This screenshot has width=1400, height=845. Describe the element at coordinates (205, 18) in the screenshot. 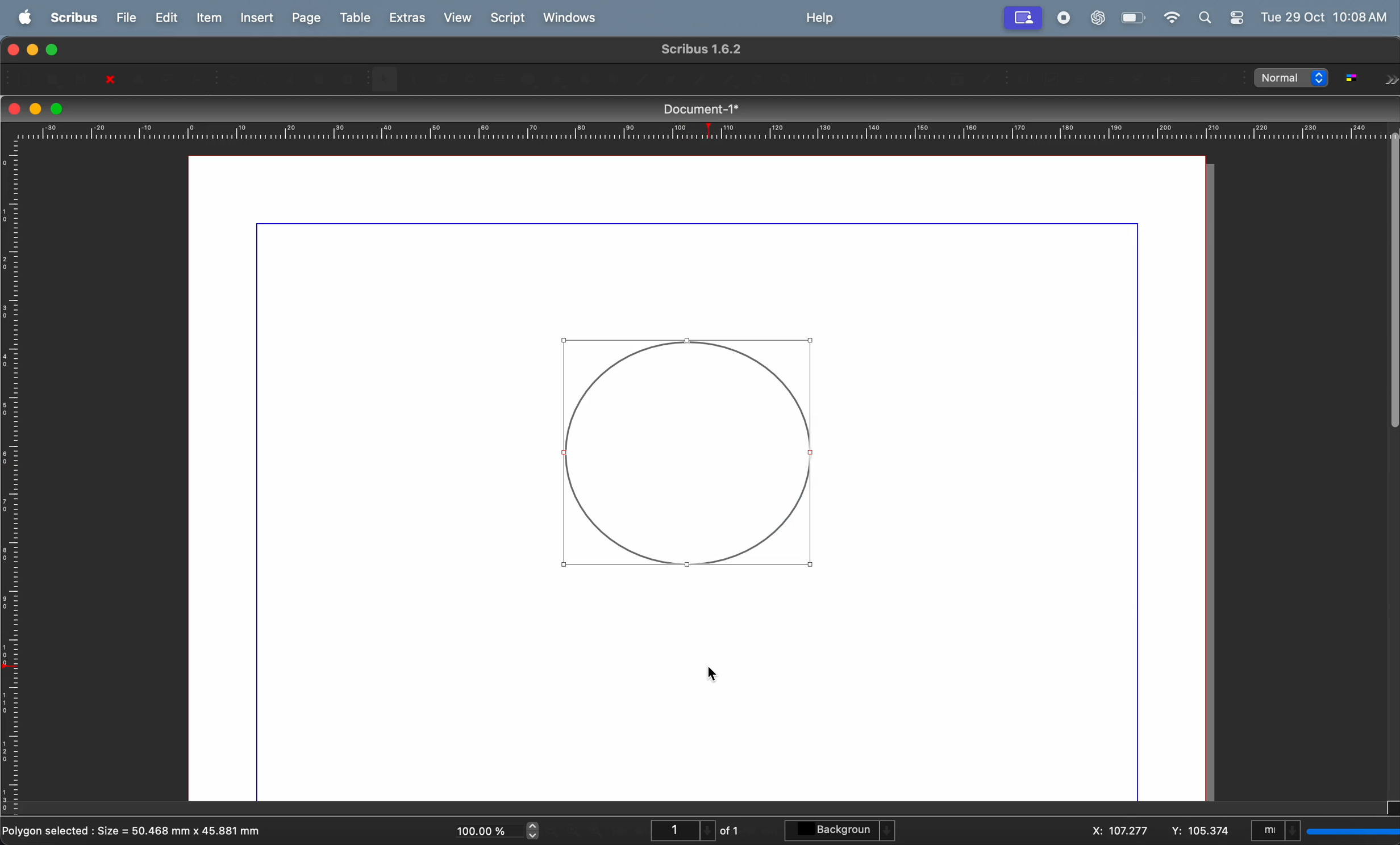

I see `item` at that location.